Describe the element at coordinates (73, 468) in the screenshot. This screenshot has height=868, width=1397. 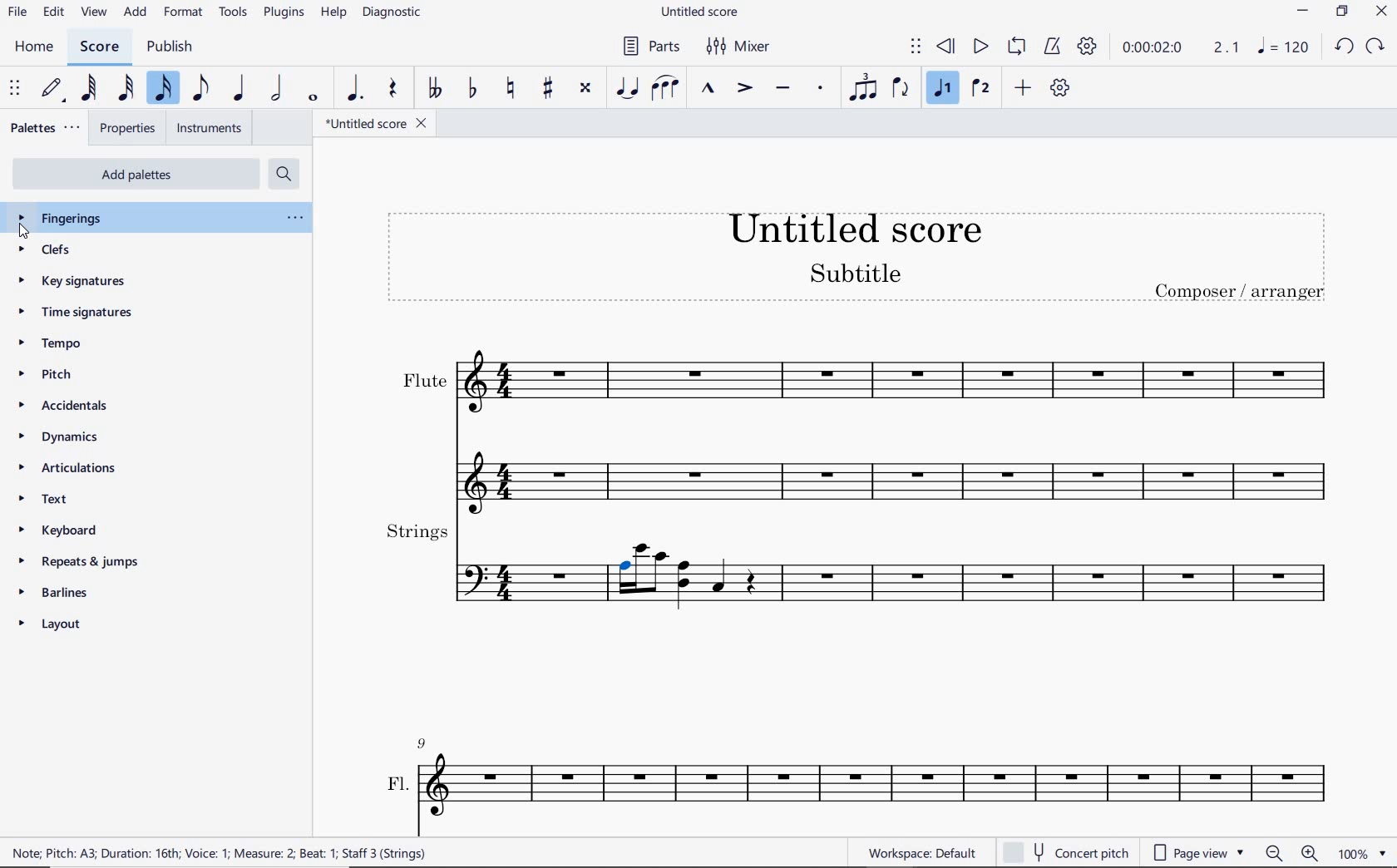
I see `articulations` at that location.